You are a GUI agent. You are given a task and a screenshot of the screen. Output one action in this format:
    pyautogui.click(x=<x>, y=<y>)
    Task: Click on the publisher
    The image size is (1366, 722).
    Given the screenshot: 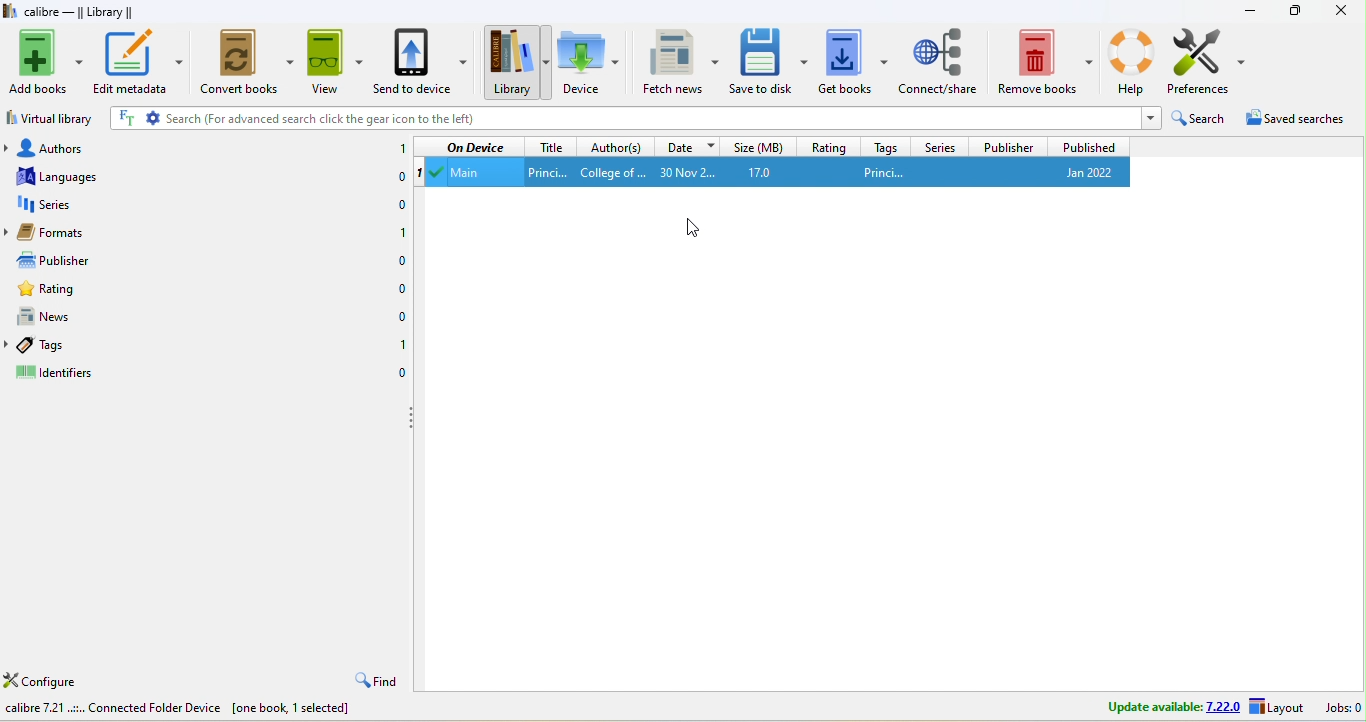 What is the action you would take?
    pyautogui.click(x=1006, y=146)
    